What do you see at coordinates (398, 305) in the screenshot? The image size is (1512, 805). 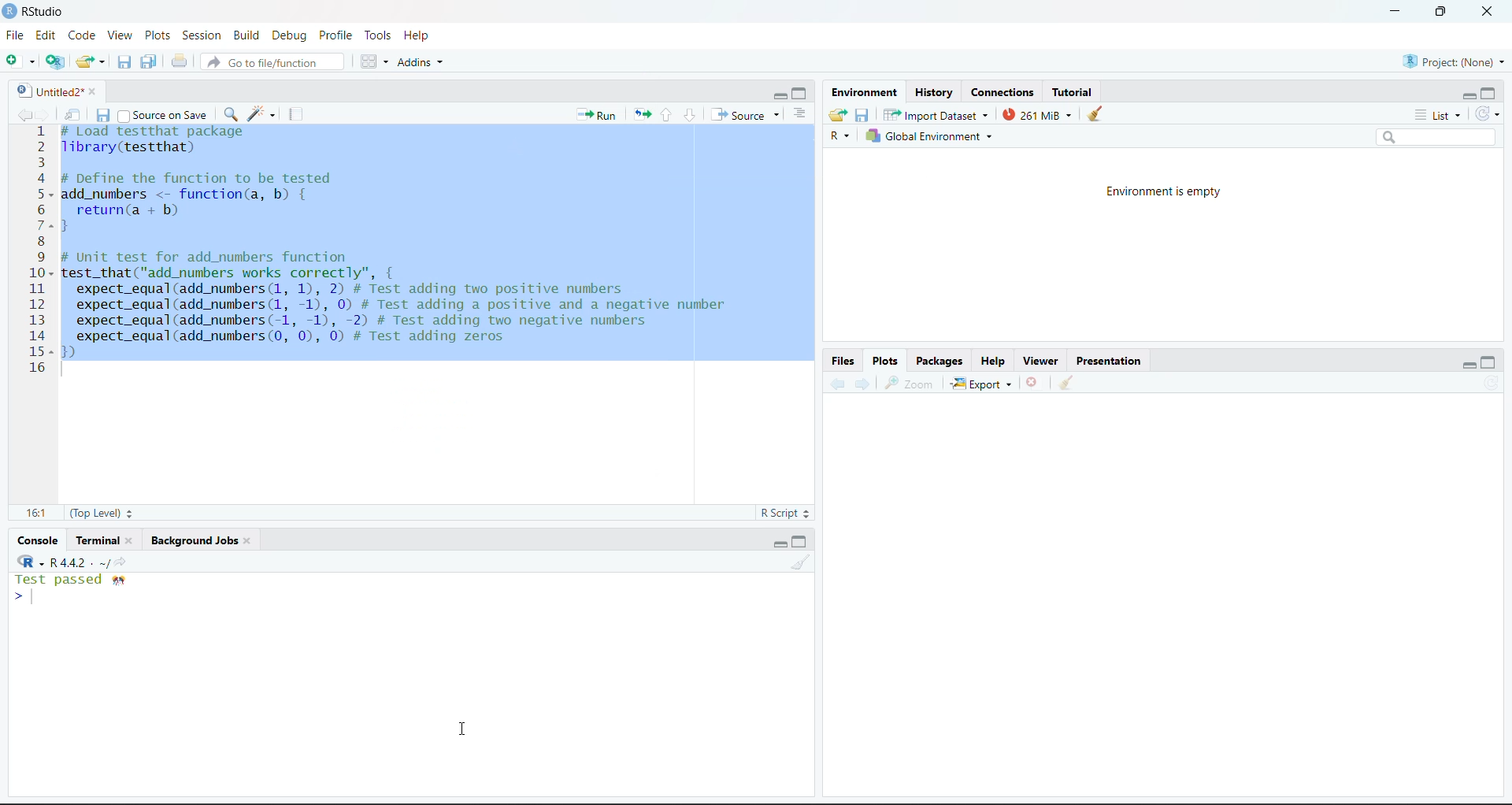 I see `# Unit test for add_numbers functiontest_that("add_numbers works correctly", {expect_equal(add_numbers (1, 1), 2) # Test adding two positive numbersexpect_equal(add_numbers (1, -1), 0) # Test adding a positive and a negative numberexpect_equal(add_numbers(-1, -1), -2) # Test adding two negative numbersexpect_equal(add_numbers (0, 0), 0) # Test adding zeros)` at bounding box center [398, 305].